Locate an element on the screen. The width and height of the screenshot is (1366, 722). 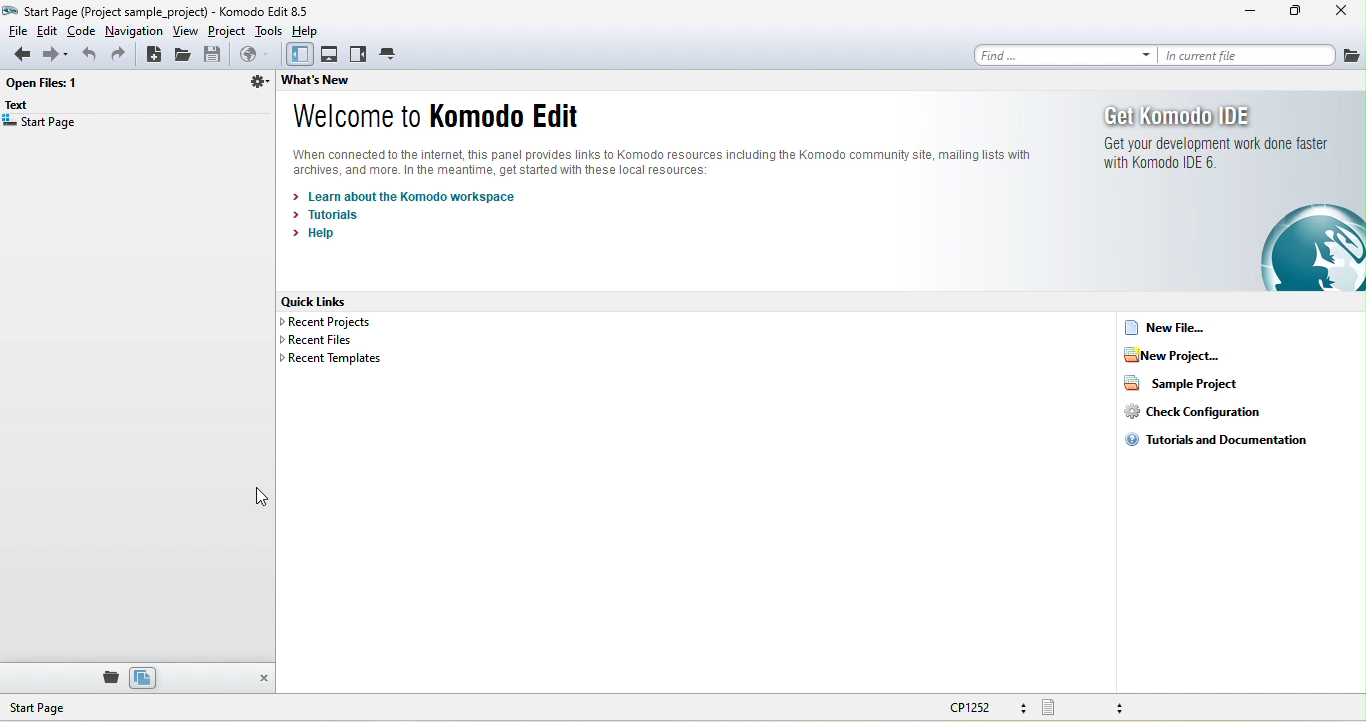
help is located at coordinates (310, 30).